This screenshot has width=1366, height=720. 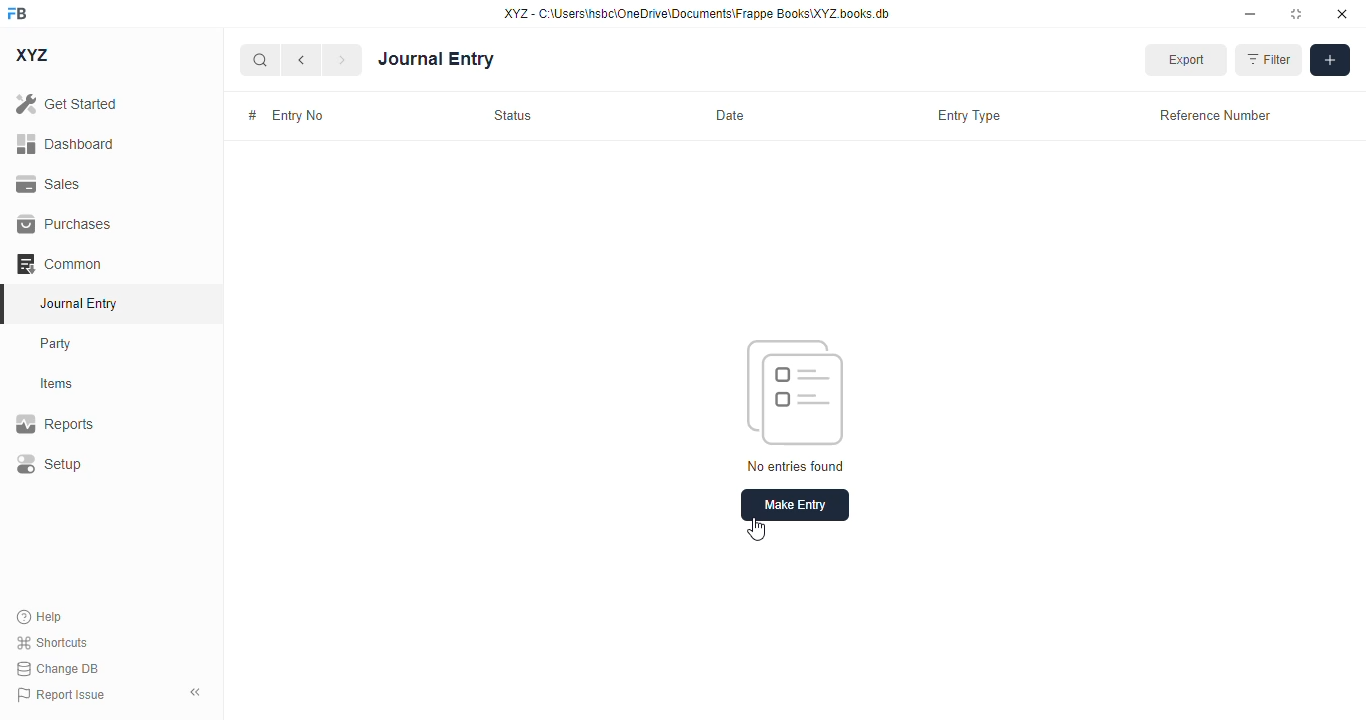 What do you see at coordinates (343, 60) in the screenshot?
I see `next` at bounding box center [343, 60].